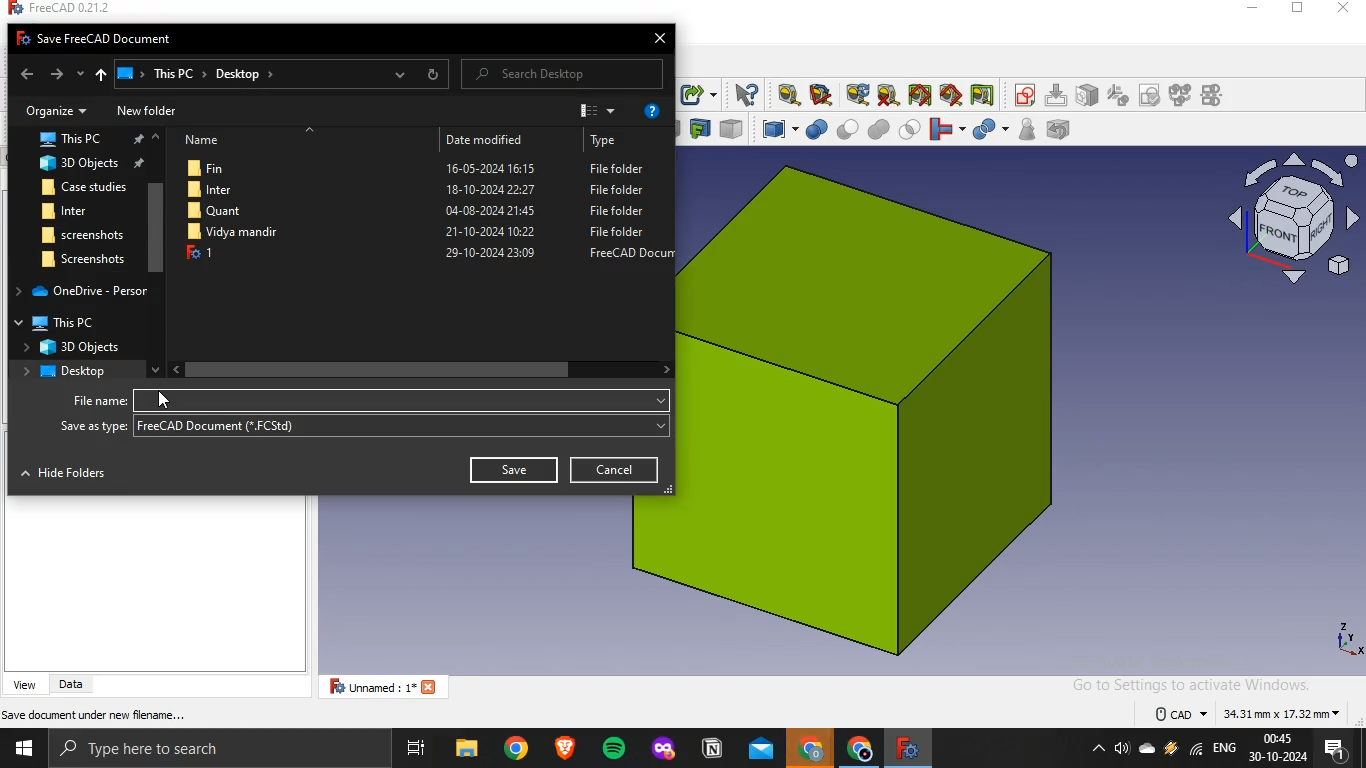 The height and width of the screenshot is (768, 1366). Describe the element at coordinates (166, 400) in the screenshot. I see `cursor` at that location.